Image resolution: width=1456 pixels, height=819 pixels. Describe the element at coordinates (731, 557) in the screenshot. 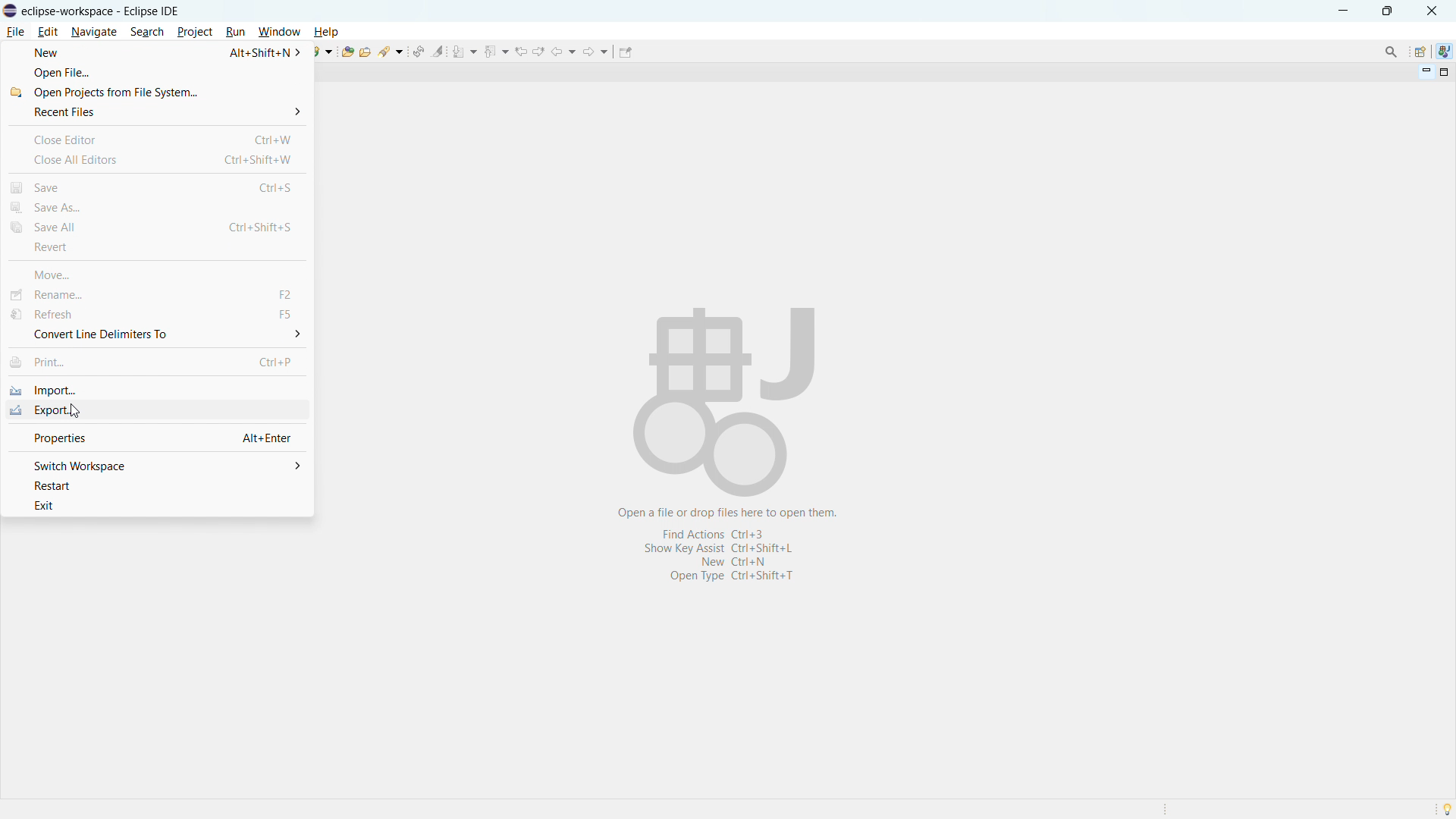

I see `Shortcuts` at that location.